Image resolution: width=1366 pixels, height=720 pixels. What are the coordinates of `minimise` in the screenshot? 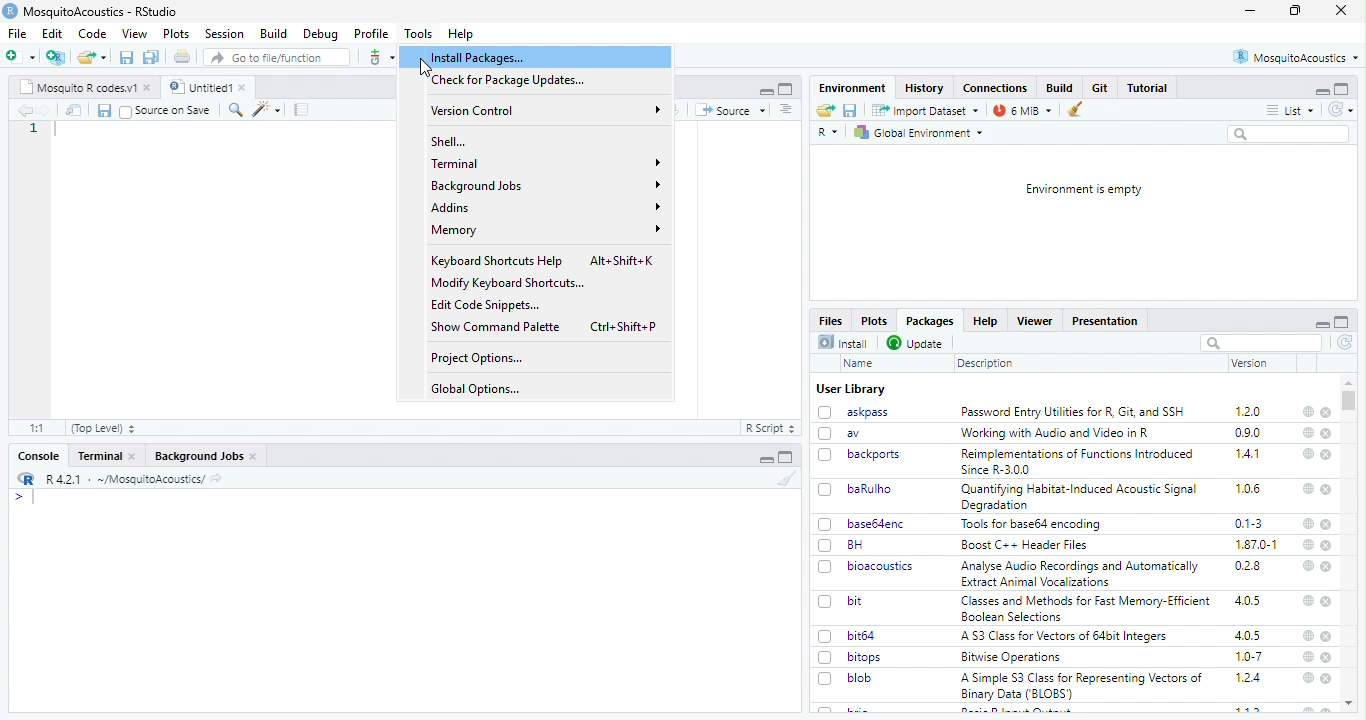 It's located at (768, 92).